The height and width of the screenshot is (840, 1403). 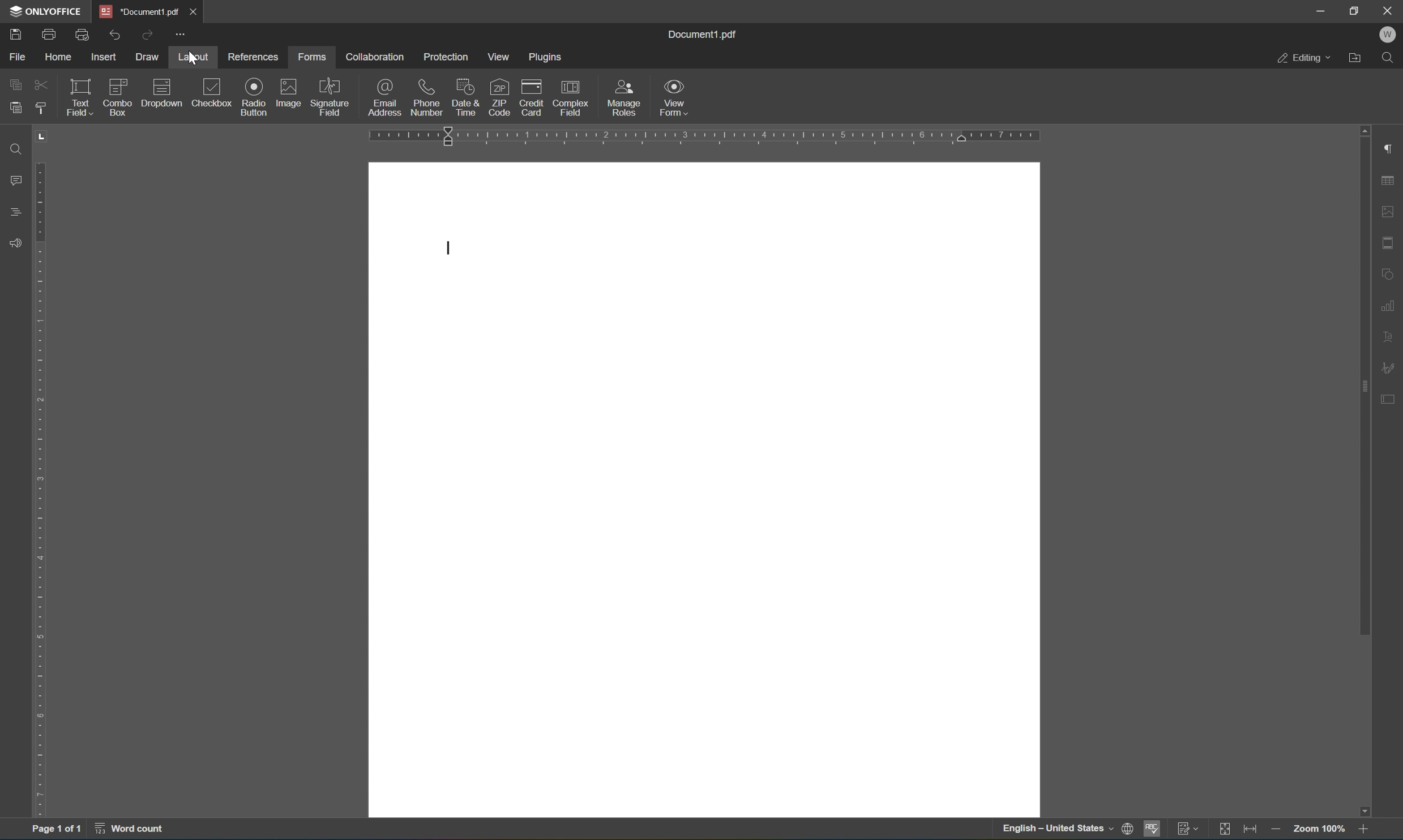 What do you see at coordinates (198, 10) in the screenshot?
I see `close` at bounding box center [198, 10].